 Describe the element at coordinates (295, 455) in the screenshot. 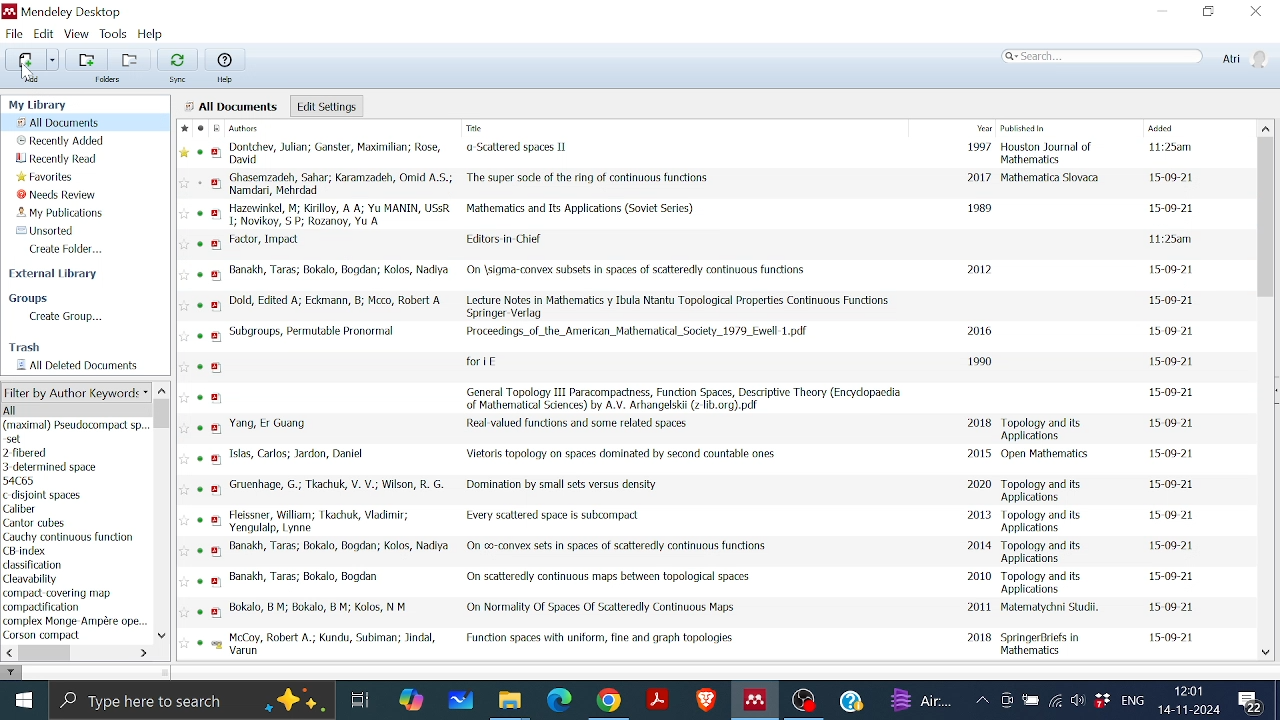

I see `Author` at that location.